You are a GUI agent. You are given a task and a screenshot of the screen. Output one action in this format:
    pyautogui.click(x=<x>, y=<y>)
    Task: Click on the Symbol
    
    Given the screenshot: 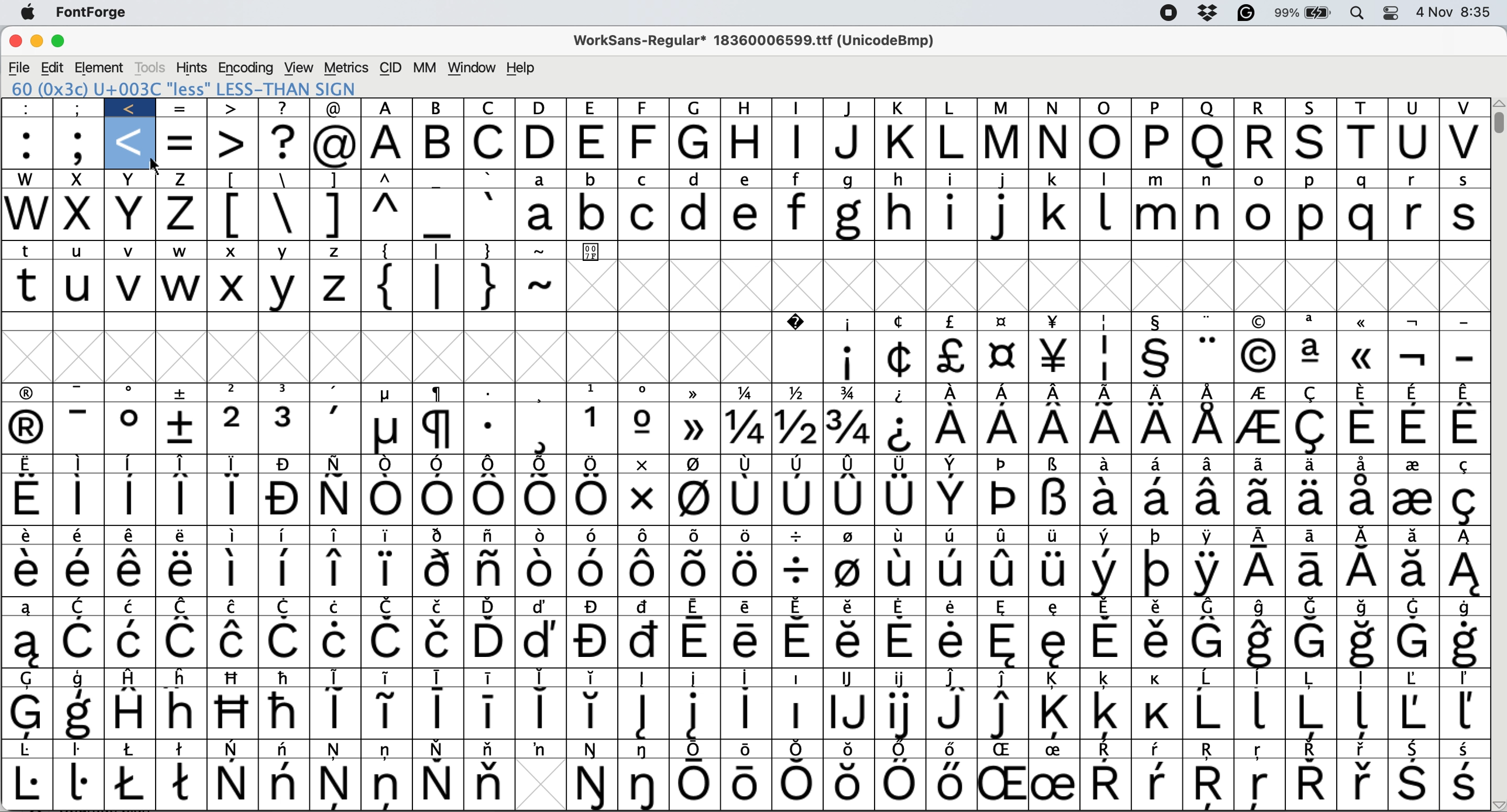 What is the action you would take?
    pyautogui.click(x=287, y=464)
    